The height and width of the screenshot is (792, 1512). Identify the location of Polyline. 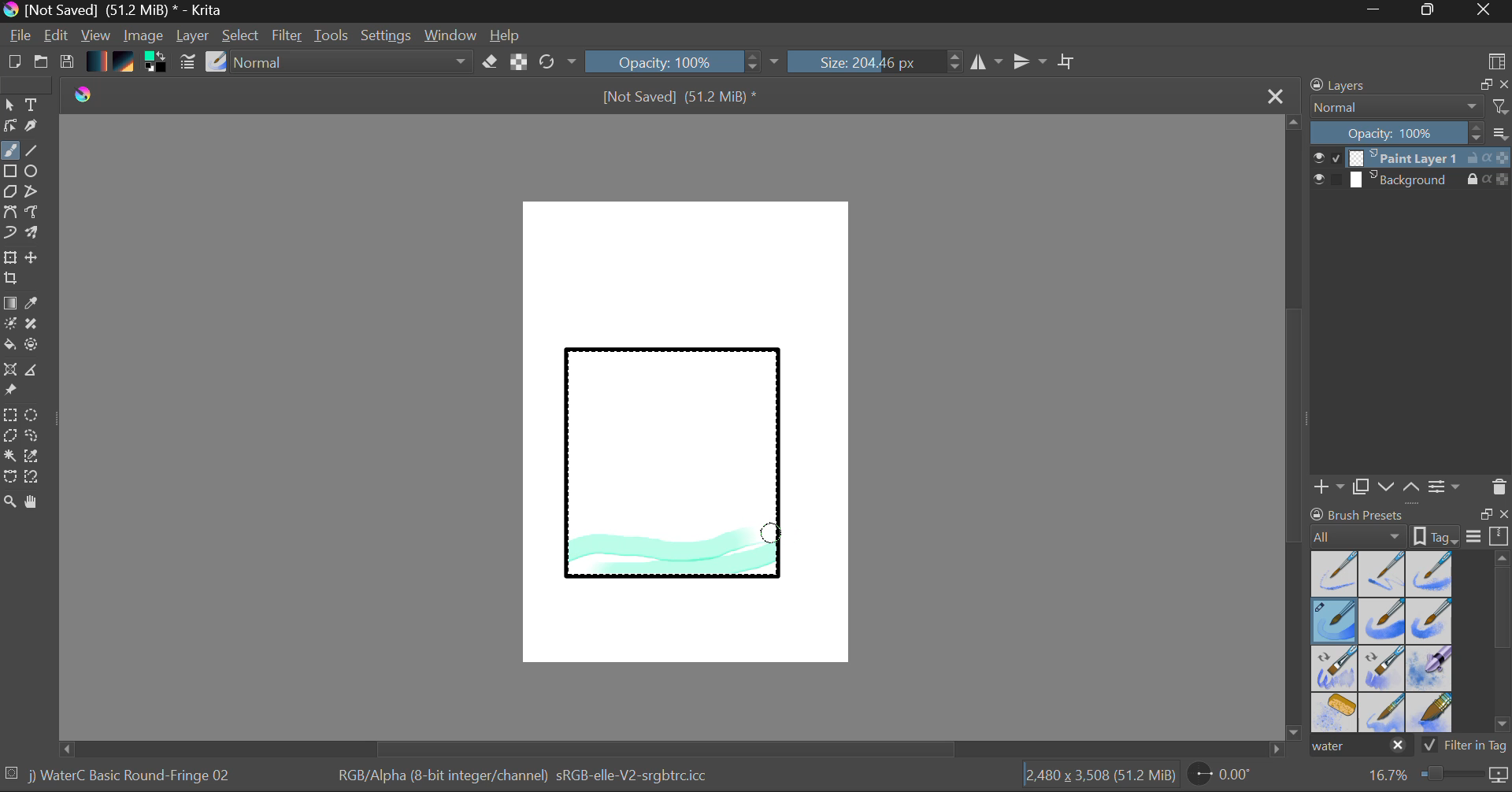
(33, 193).